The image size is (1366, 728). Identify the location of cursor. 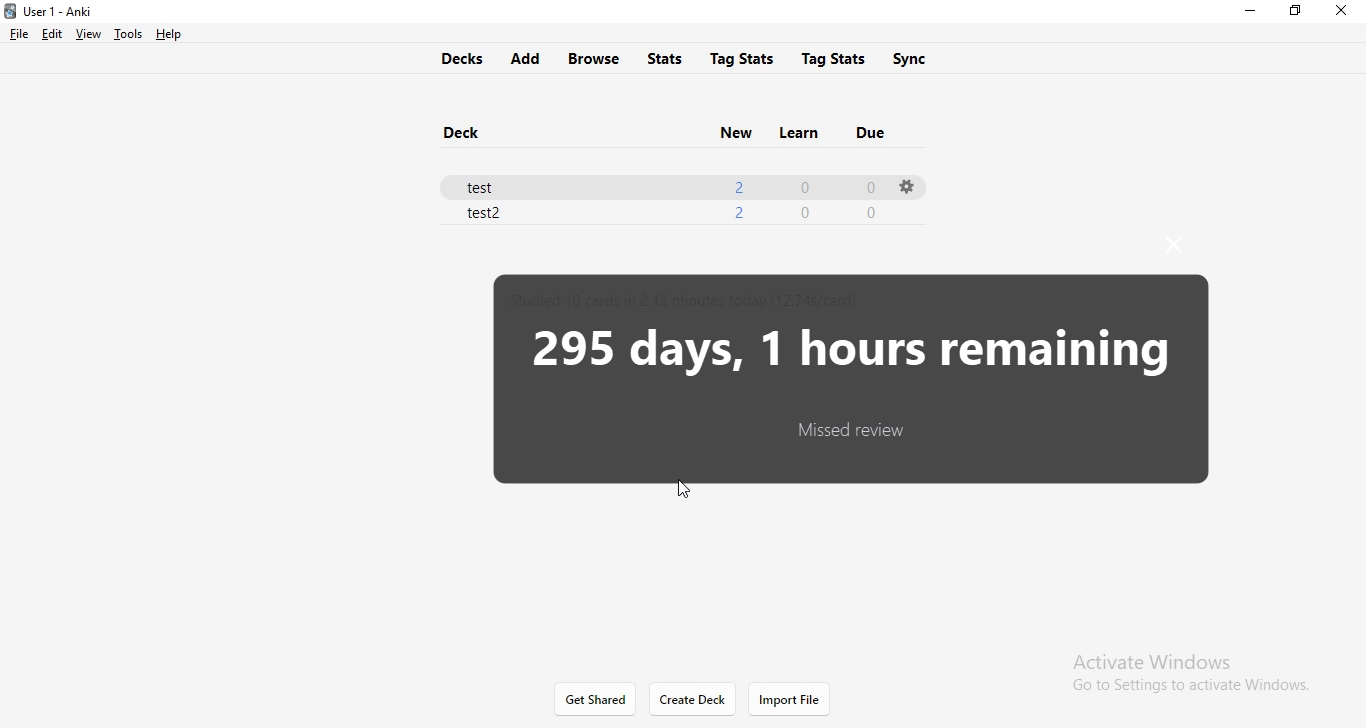
(686, 490).